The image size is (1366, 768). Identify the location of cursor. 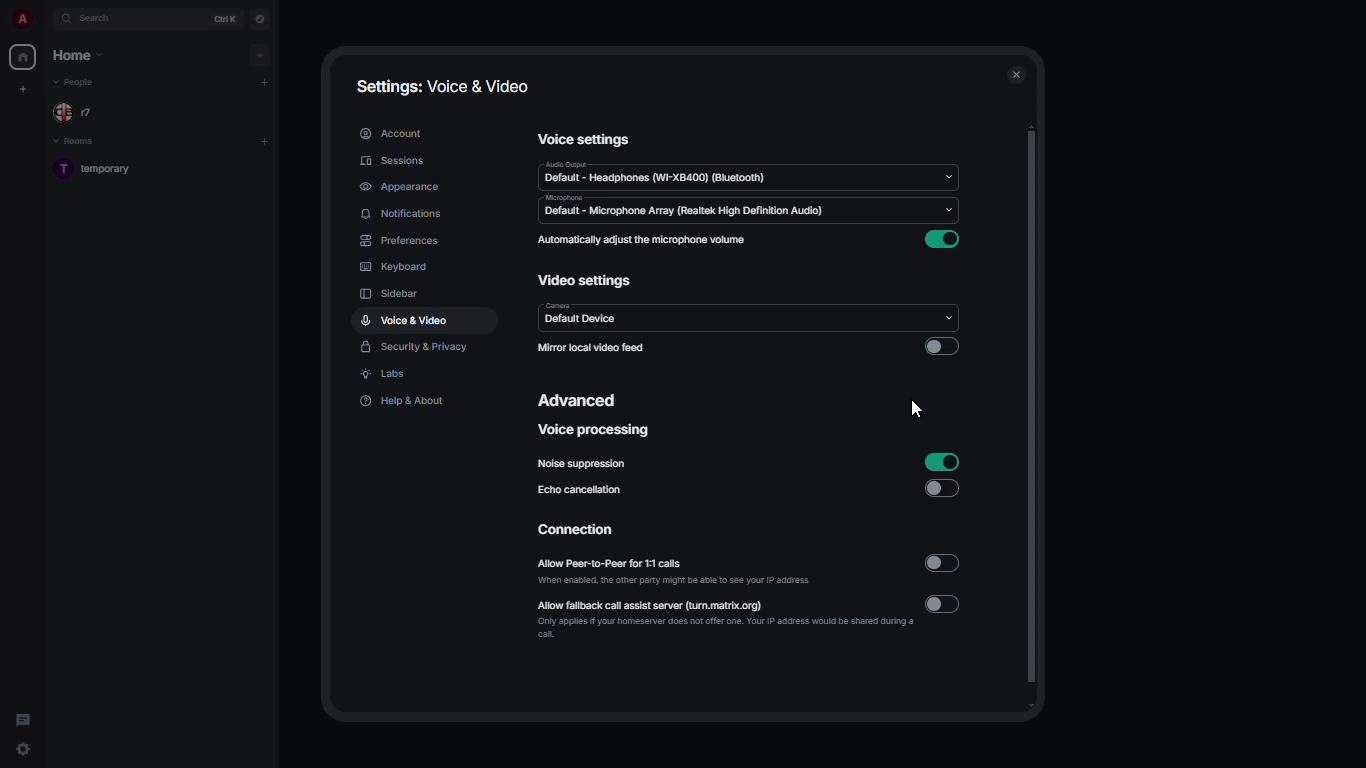
(911, 410).